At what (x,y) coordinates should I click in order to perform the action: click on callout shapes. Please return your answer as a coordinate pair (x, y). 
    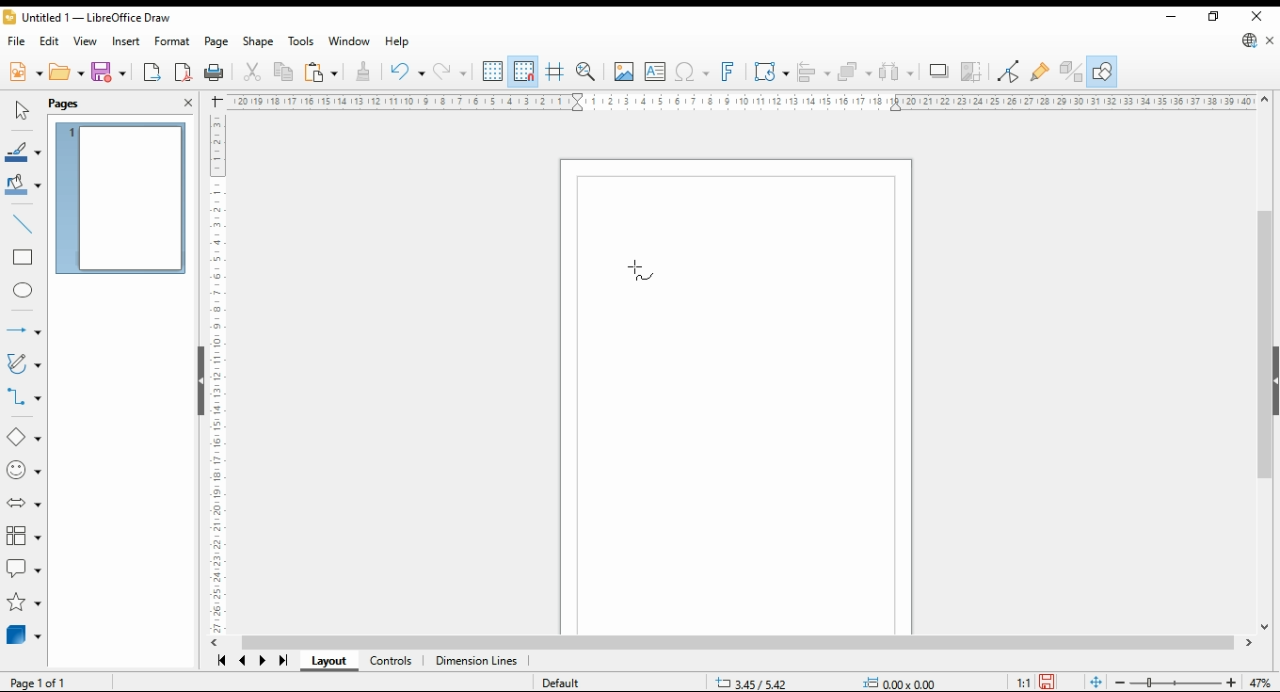
    Looking at the image, I should click on (23, 569).